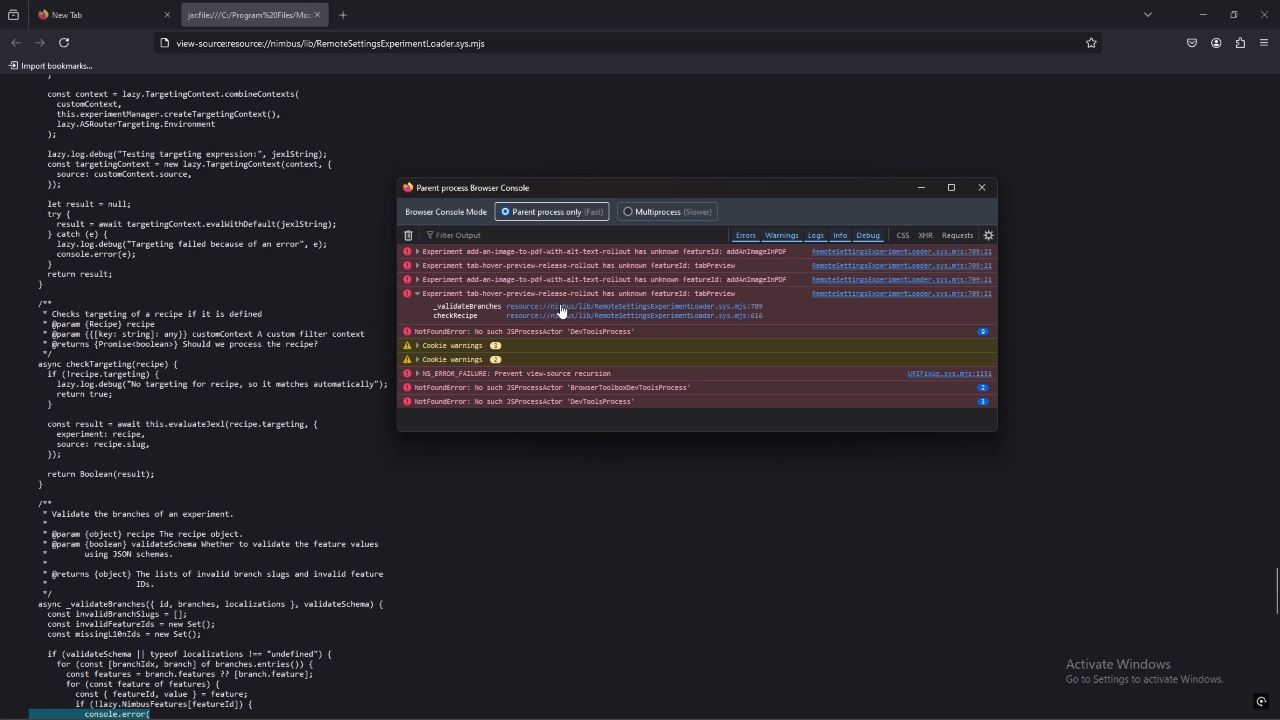 The width and height of the screenshot is (1280, 720). I want to click on search, so click(328, 42).